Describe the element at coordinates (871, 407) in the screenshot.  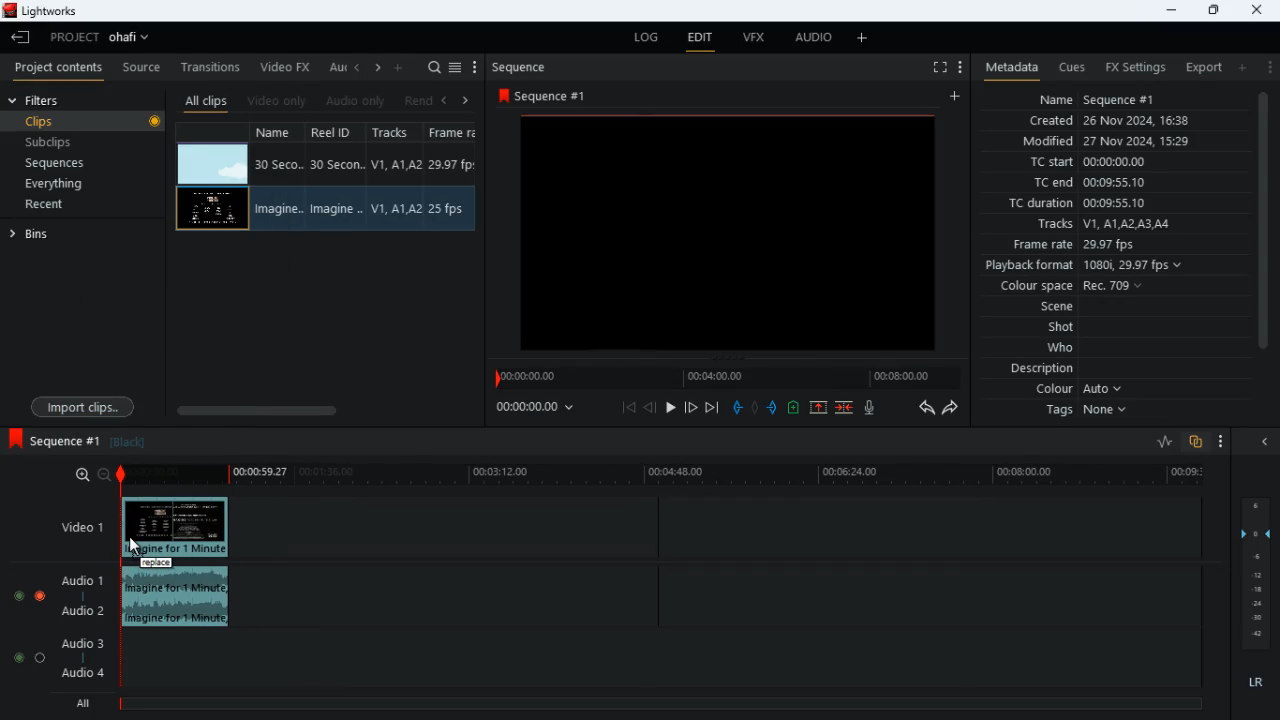
I see `mic` at that location.